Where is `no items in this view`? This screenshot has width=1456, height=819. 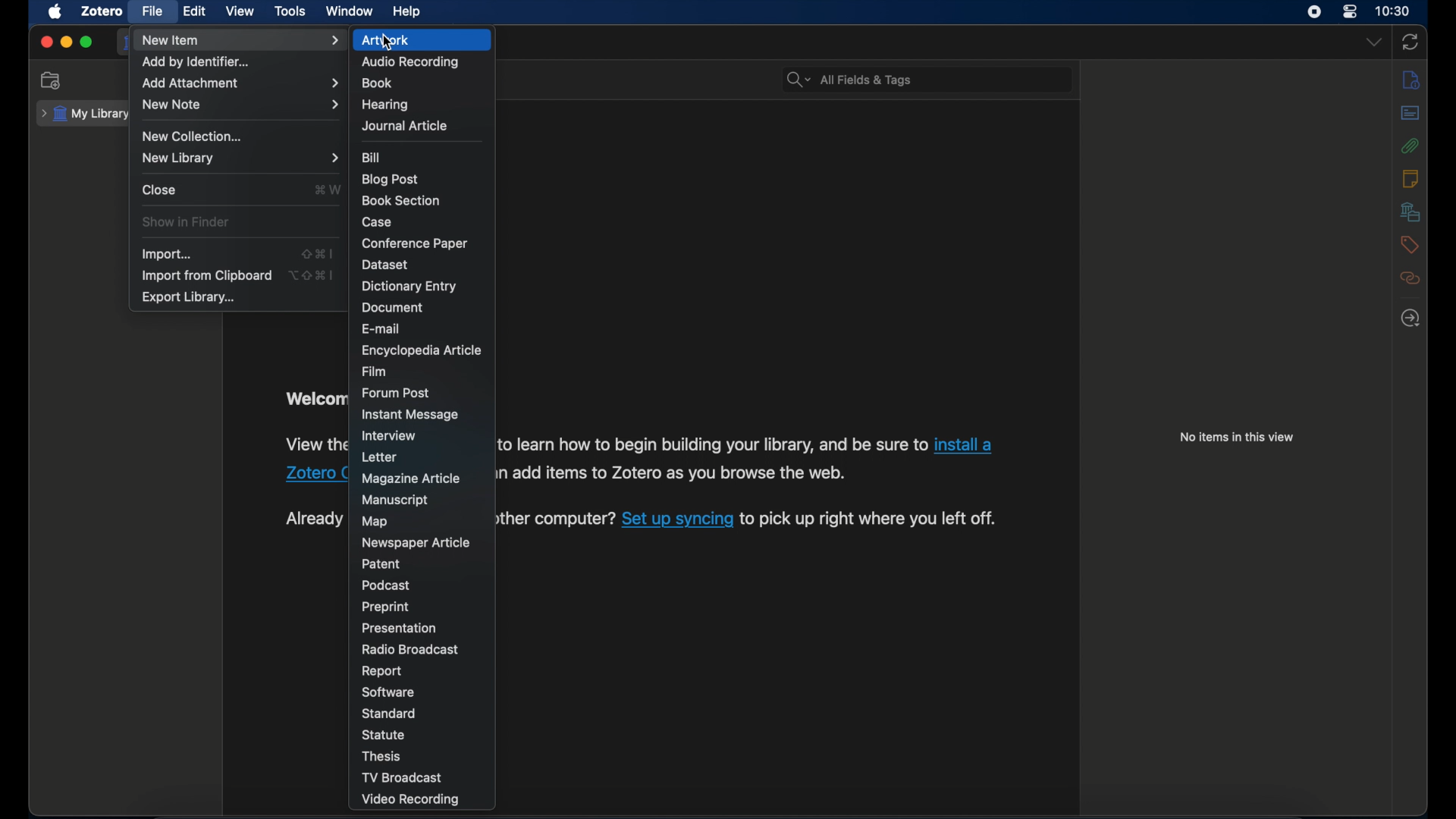 no items in this view is located at coordinates (1237, 437).